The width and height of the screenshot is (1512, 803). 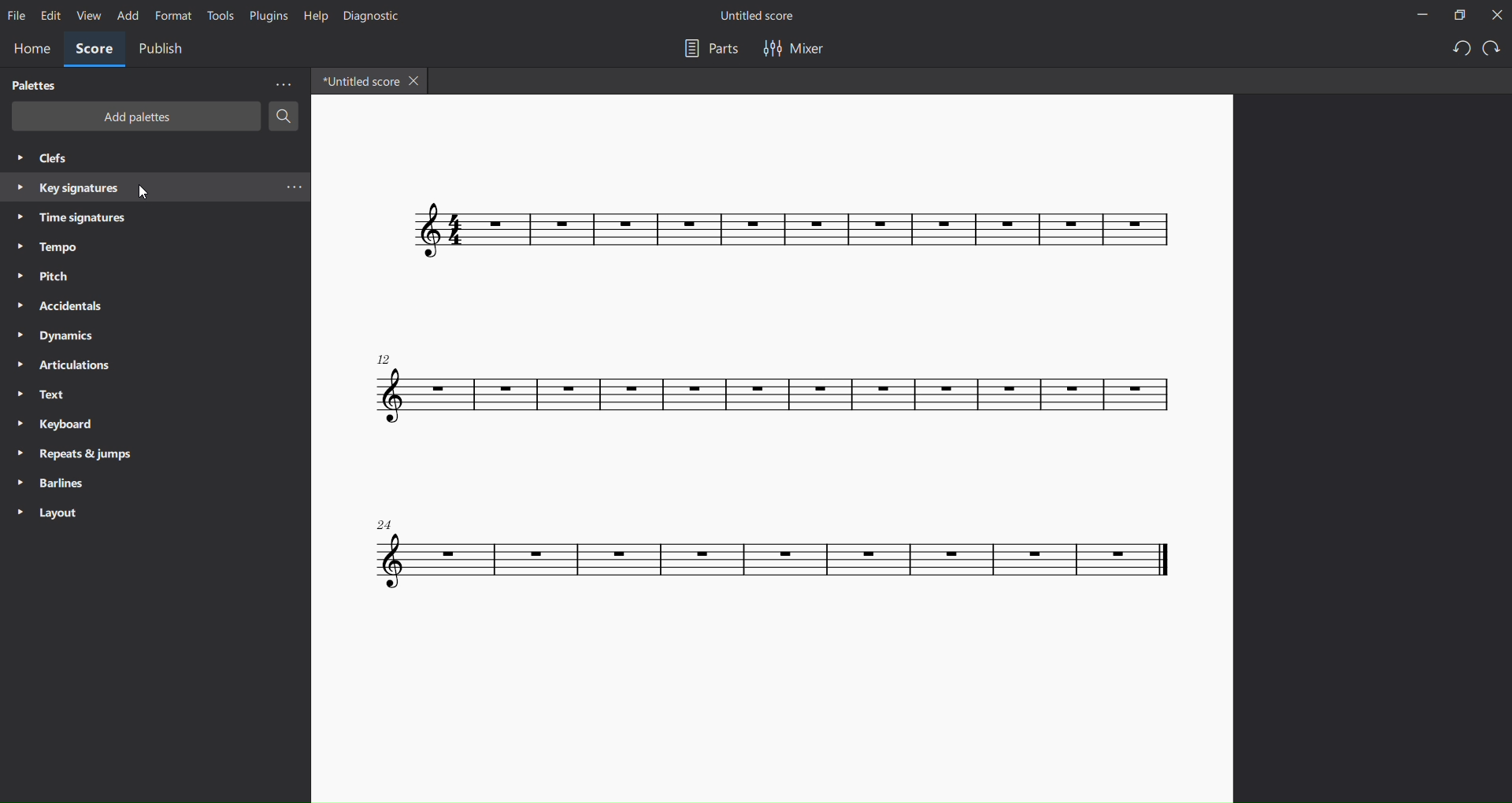 I want to click on diagnostic, so click(x=374, y=17).